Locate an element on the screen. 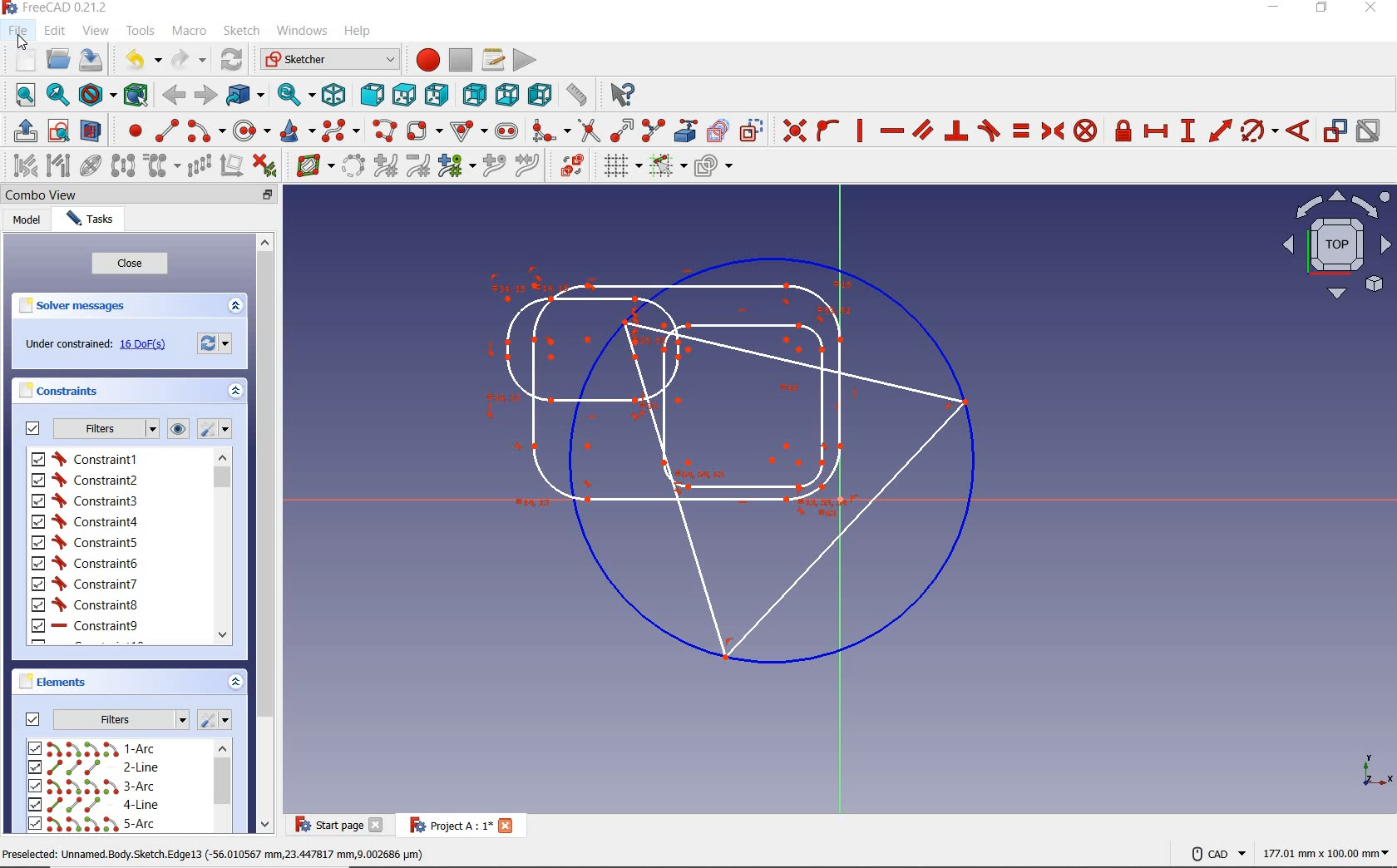 The image size is (1397, 868). go to linked object is located at coordinates (244, 96).